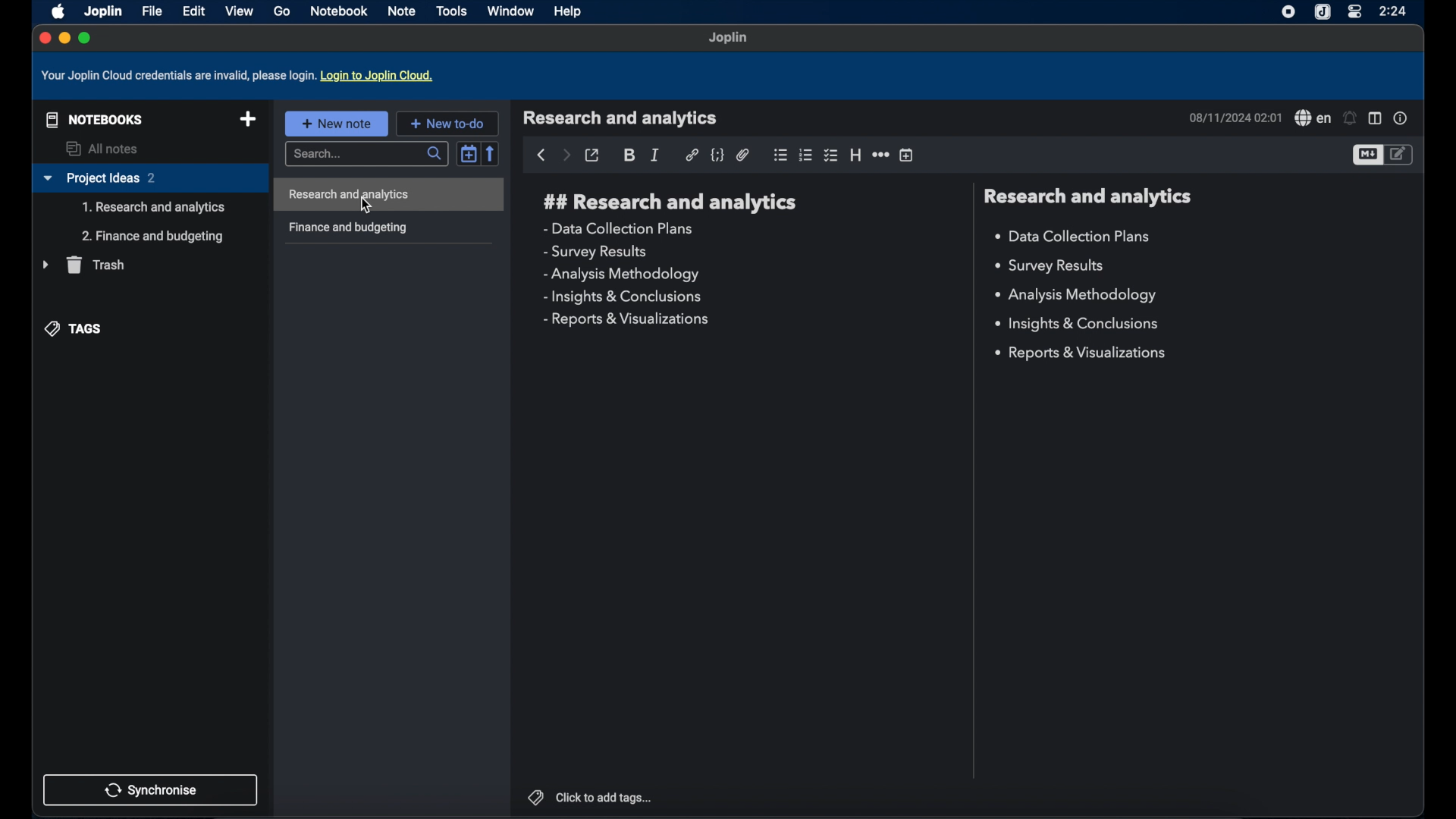 This screenshot has height=819, width=1456. What do you see at coordinates (1395, 11) in the screenshot?
I see `2:24` at bounding box center [1395, 11].